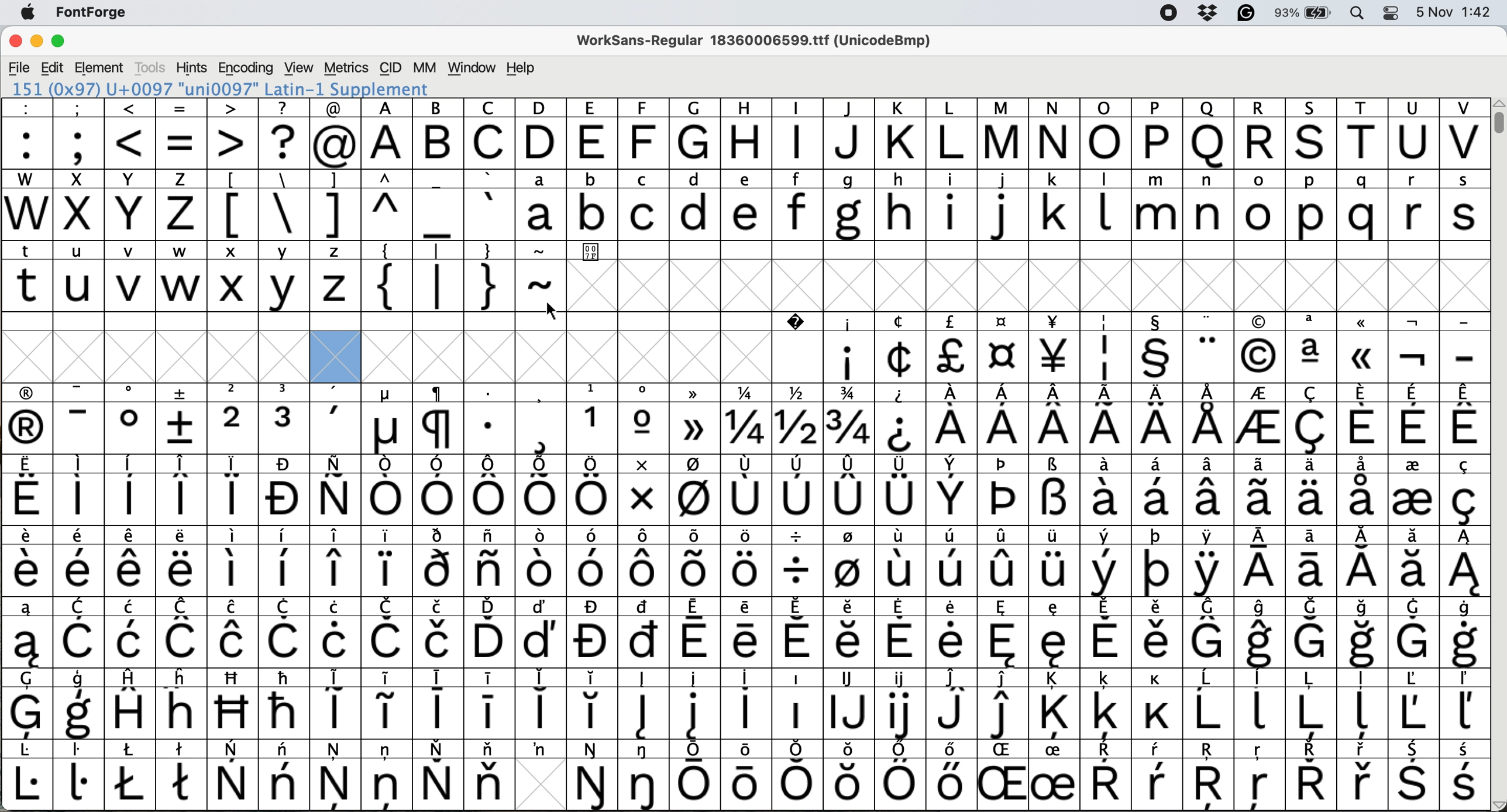 This screenshot has height=812, width=1507. Describe the element at coordinates (80, 419) in the screenshot. I see `symbol` at that location.